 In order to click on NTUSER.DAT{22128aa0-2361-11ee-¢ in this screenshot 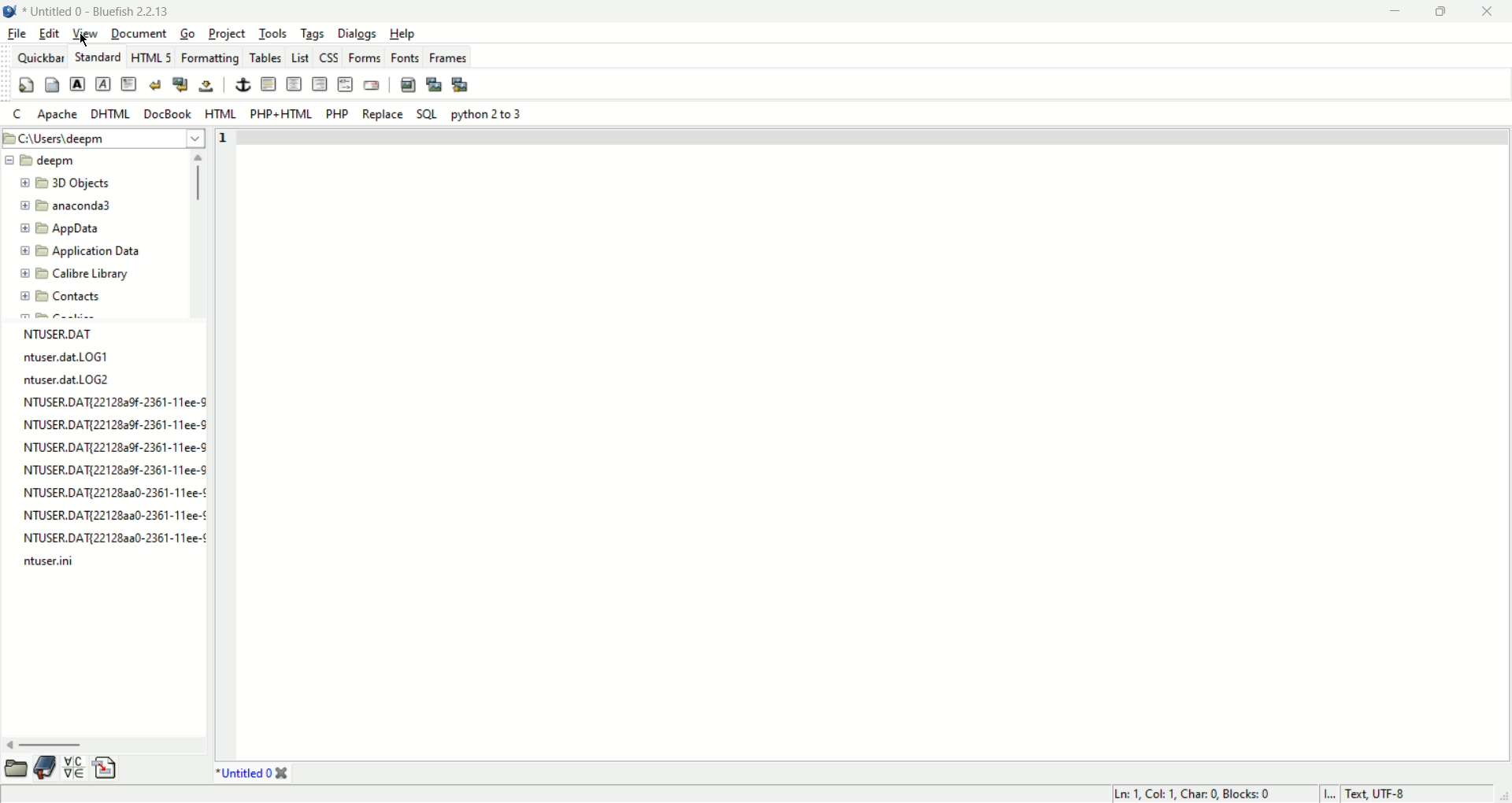, I will do `click(115, 513)`.